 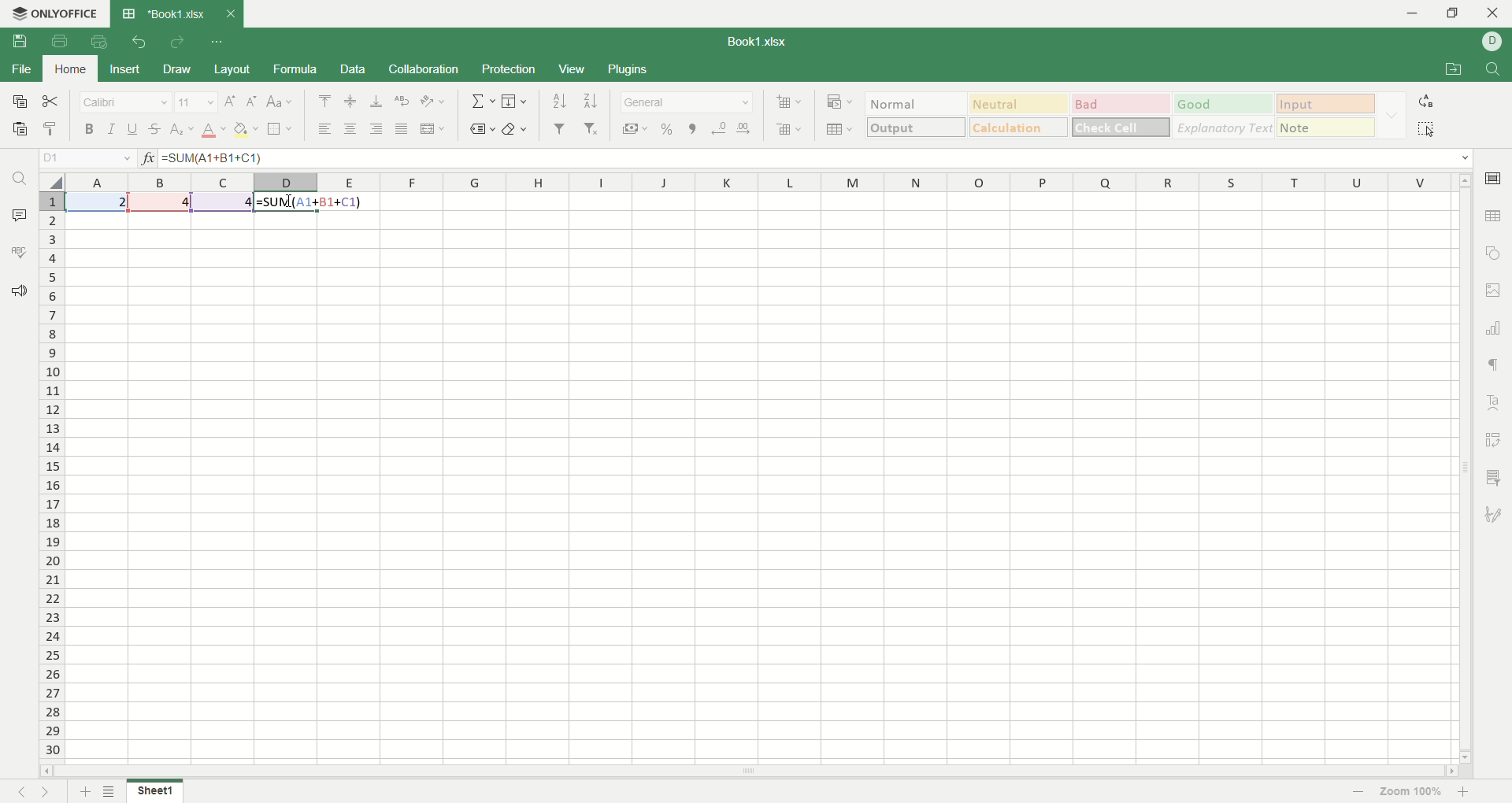 What do you see at coordinates (1495, 69) in the screenshot?
I see `find` at bounding box center [1495, 69].